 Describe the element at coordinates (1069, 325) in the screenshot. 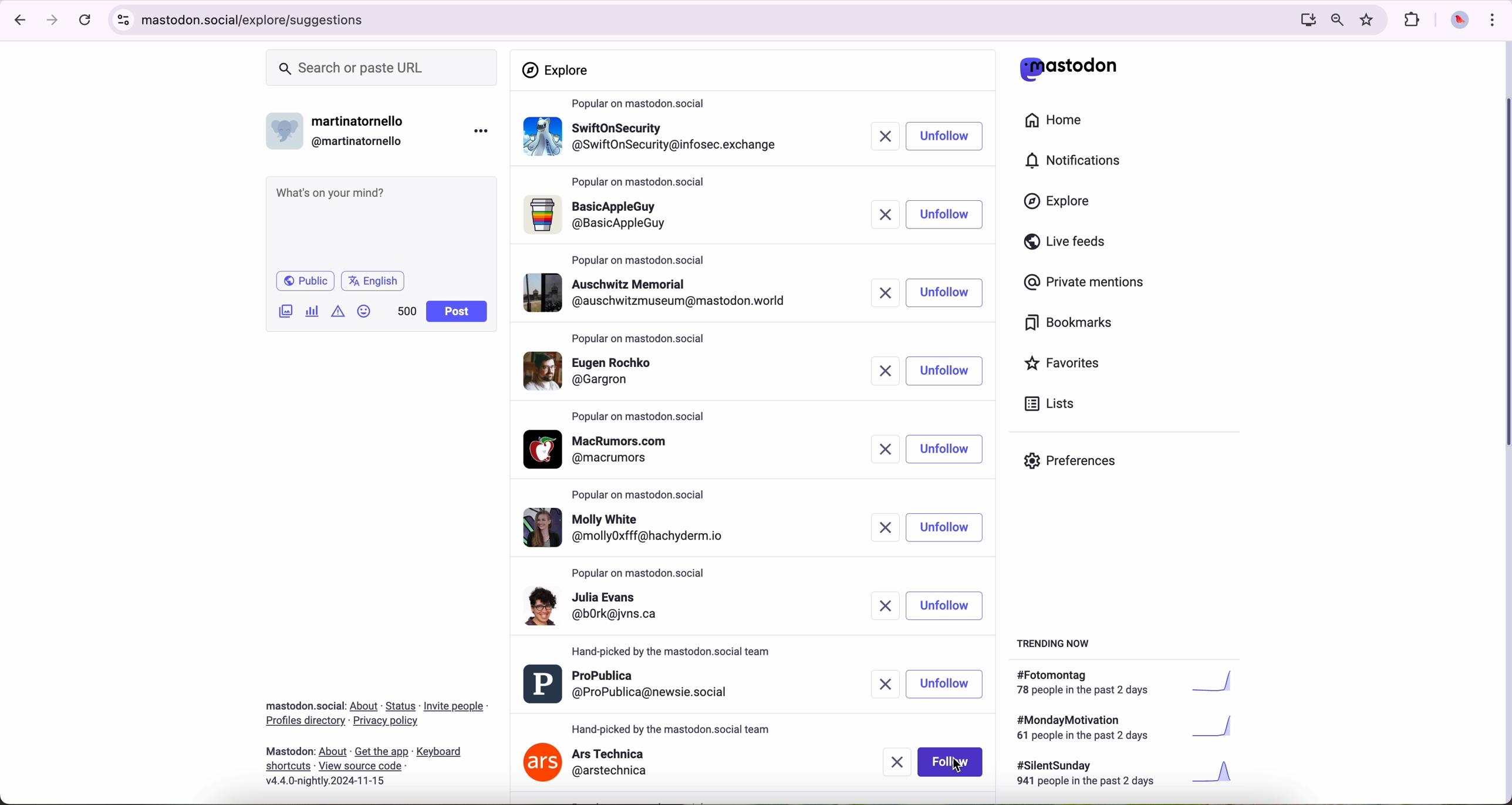

I see `bookmarks` at that location.